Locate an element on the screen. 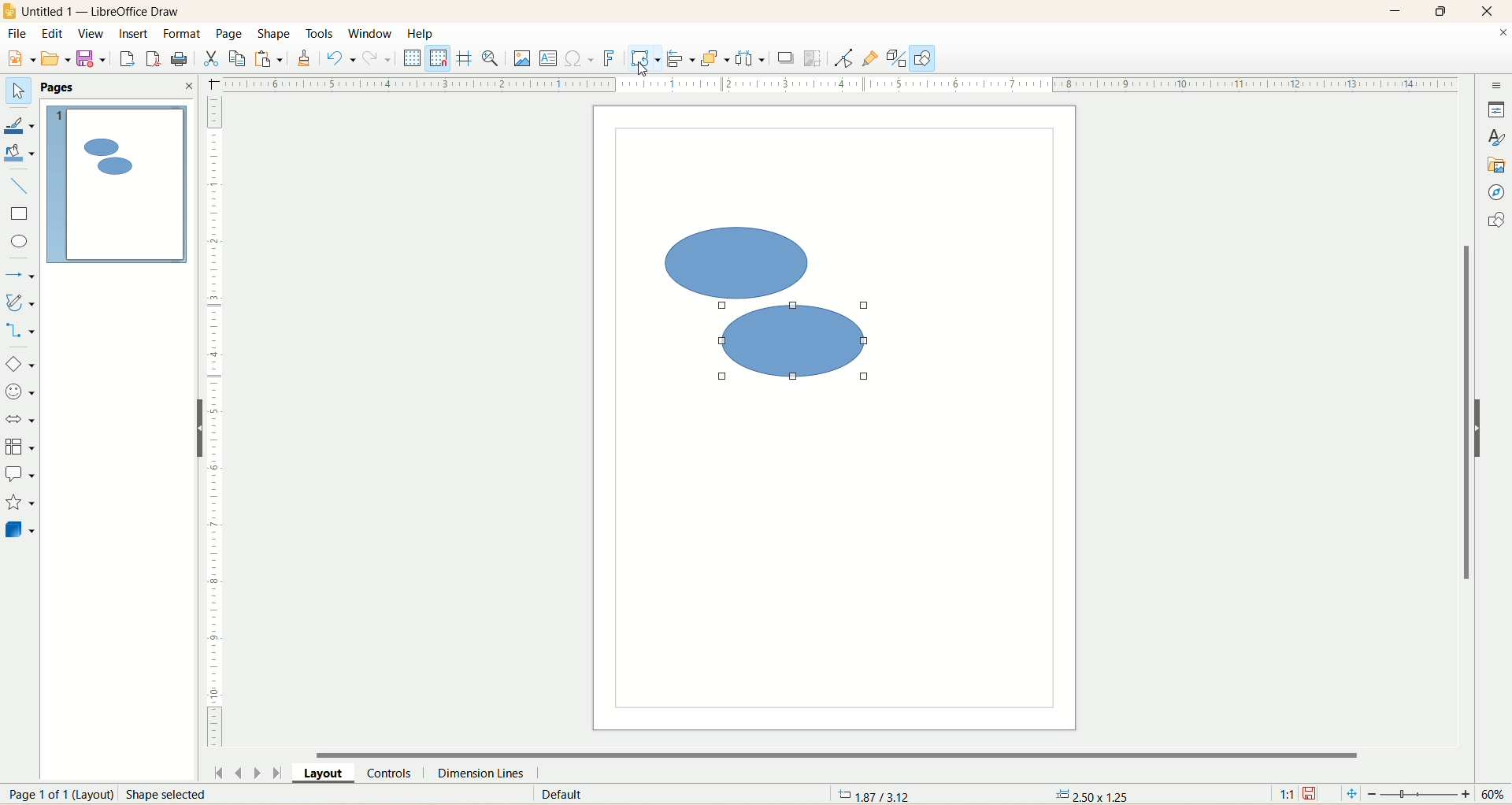 The image size is (1512, 805). export is located at coordinates (128, 55).